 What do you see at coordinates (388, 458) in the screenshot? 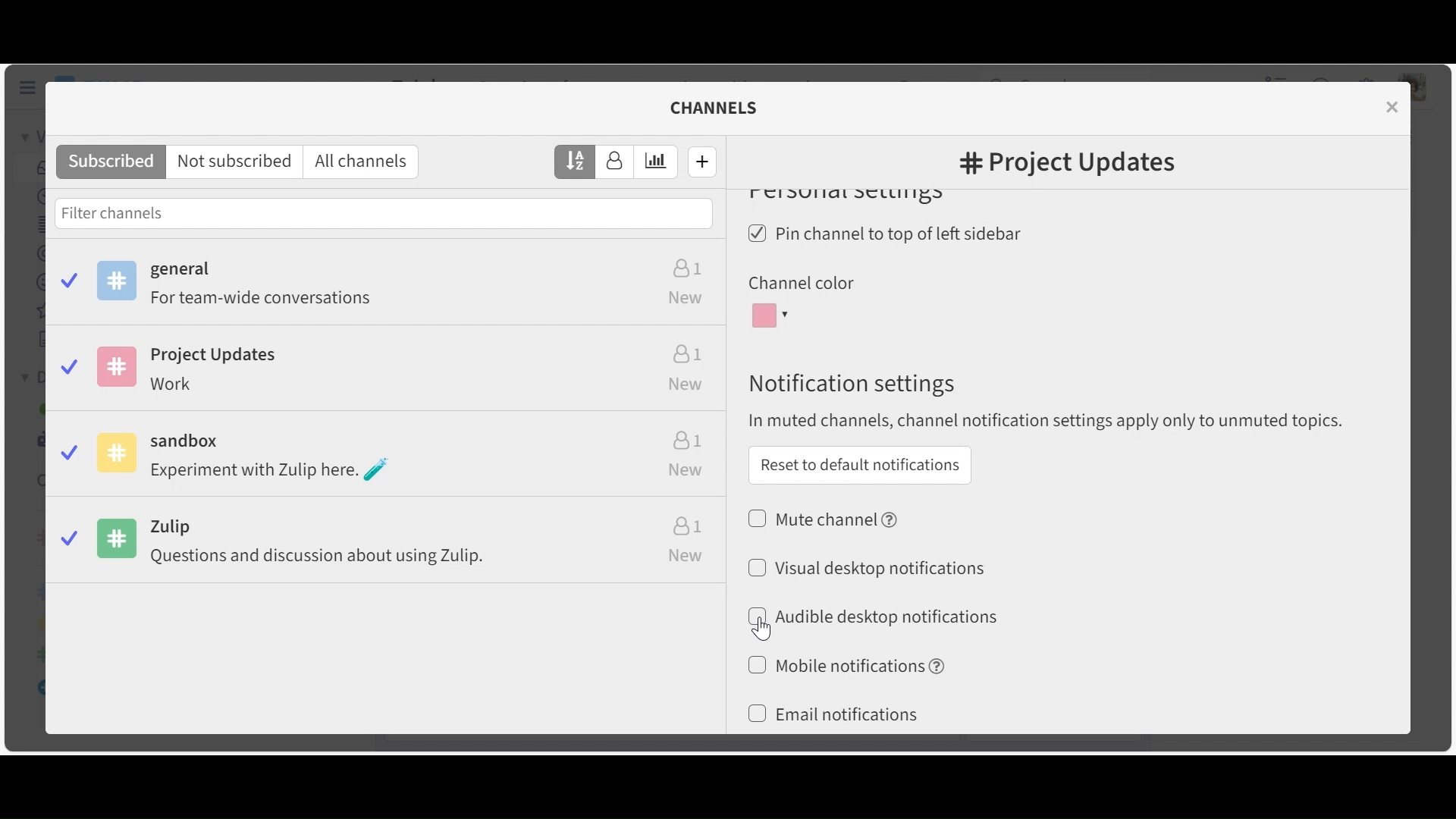
I see `Sandbox` at bounding box center [388, 458].